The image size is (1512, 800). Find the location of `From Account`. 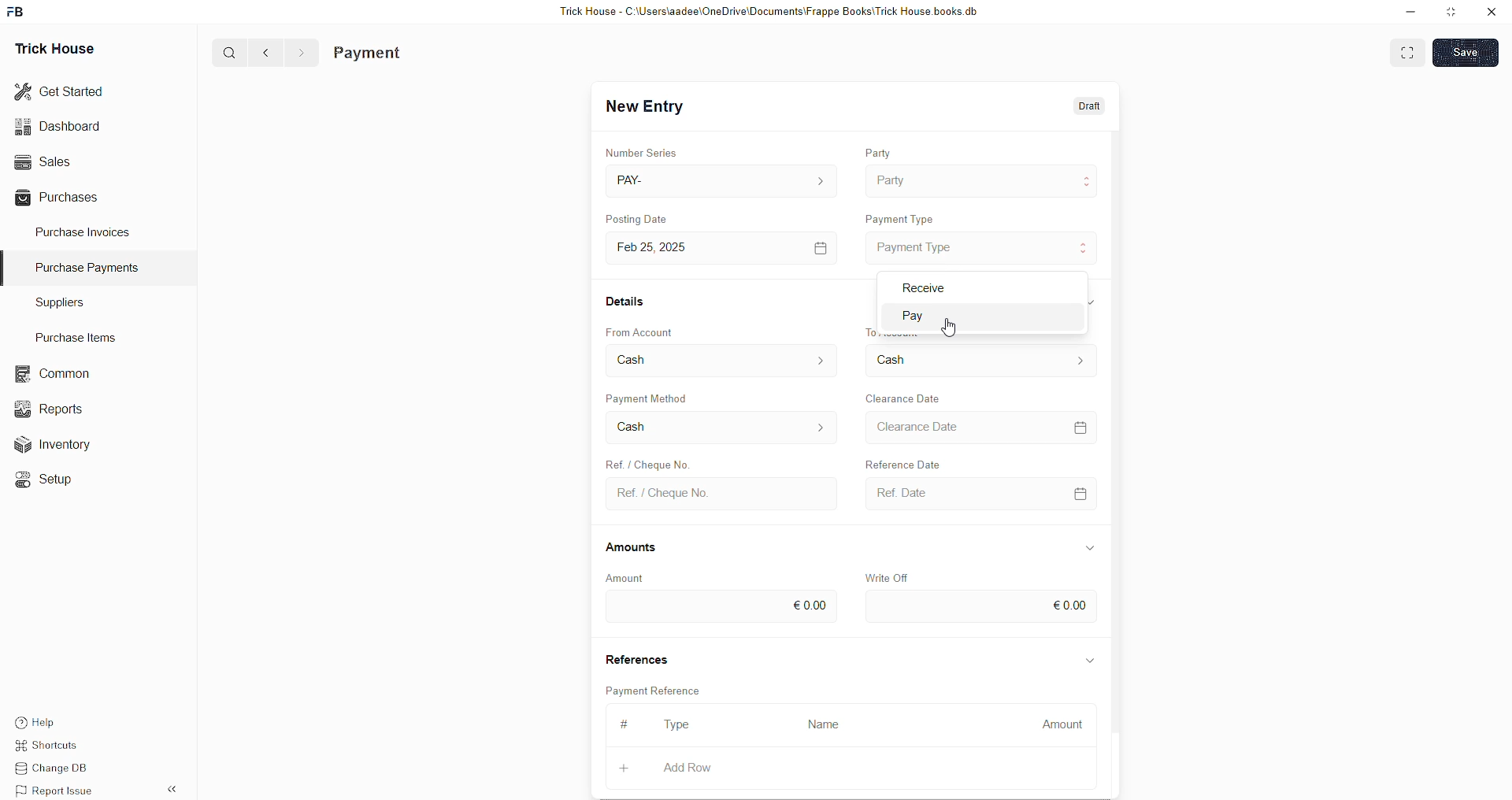

From Account is located at coordinates (661, 361).